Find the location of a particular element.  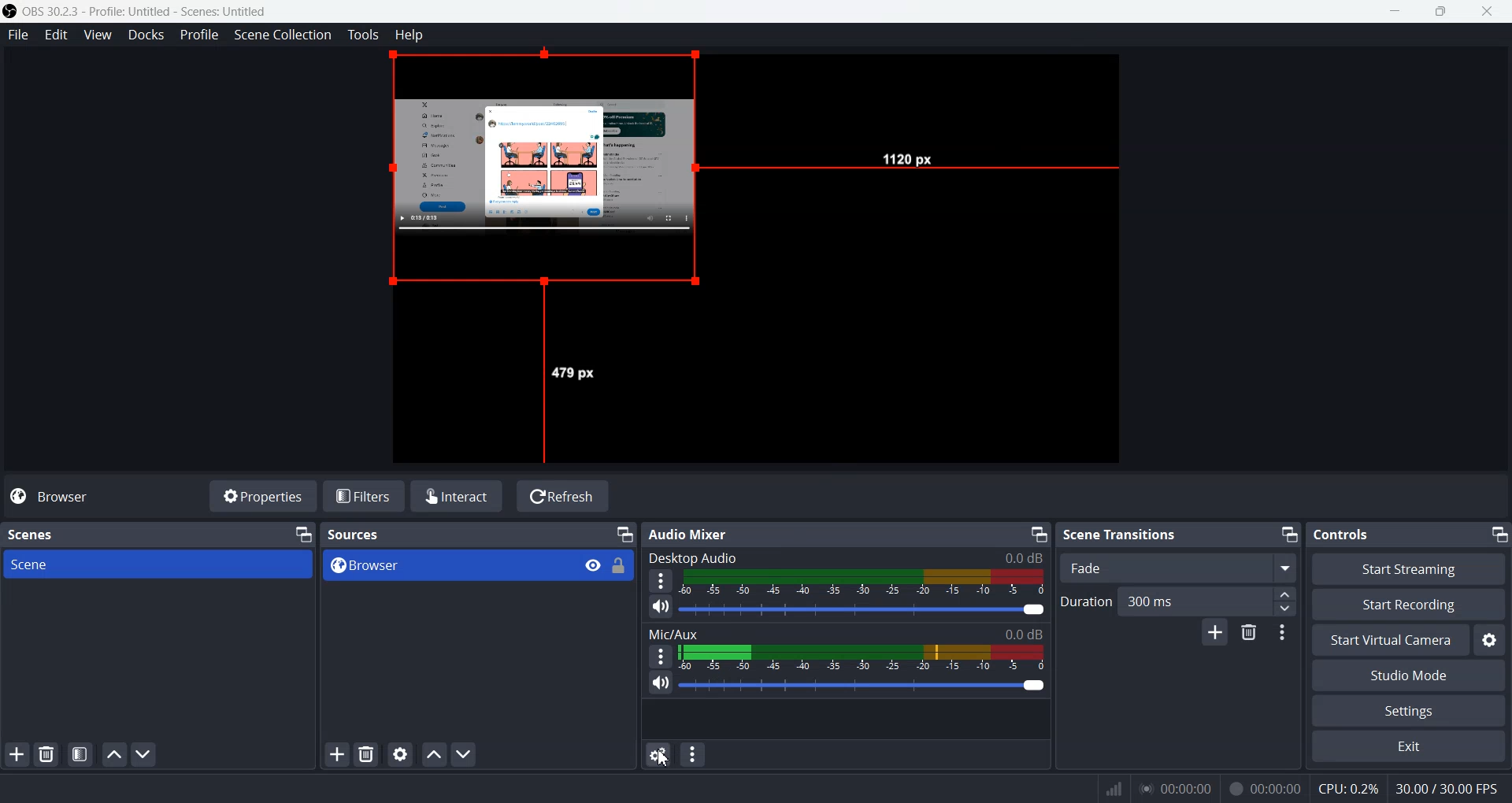

479 px is located at coordinates (576, 373).